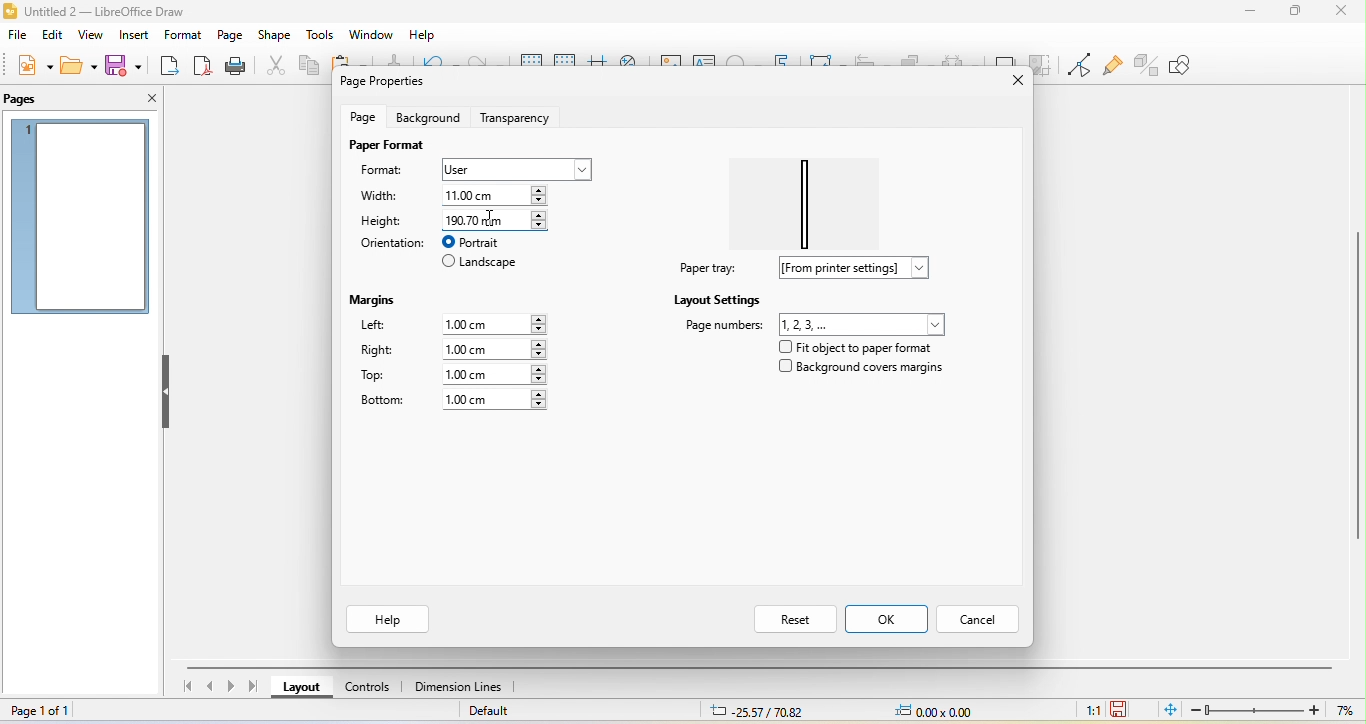 The image size is (1366, 724). What do you see at coordinates (1147, 63) in the screenshot?
I see `toggle extrusion` at bounding box center [1147, 63].